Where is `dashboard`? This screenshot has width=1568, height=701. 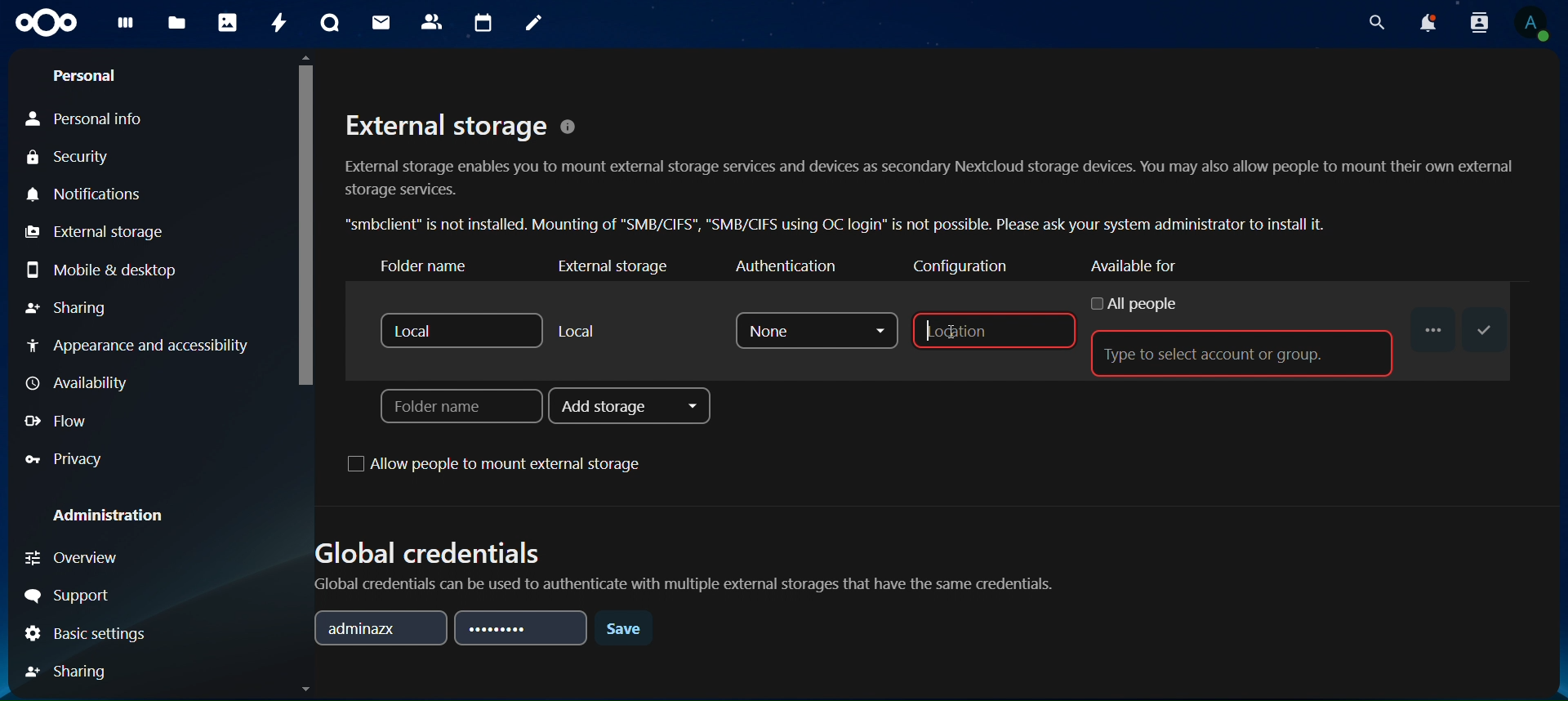
dashboard is located at coordinates (127, 26).